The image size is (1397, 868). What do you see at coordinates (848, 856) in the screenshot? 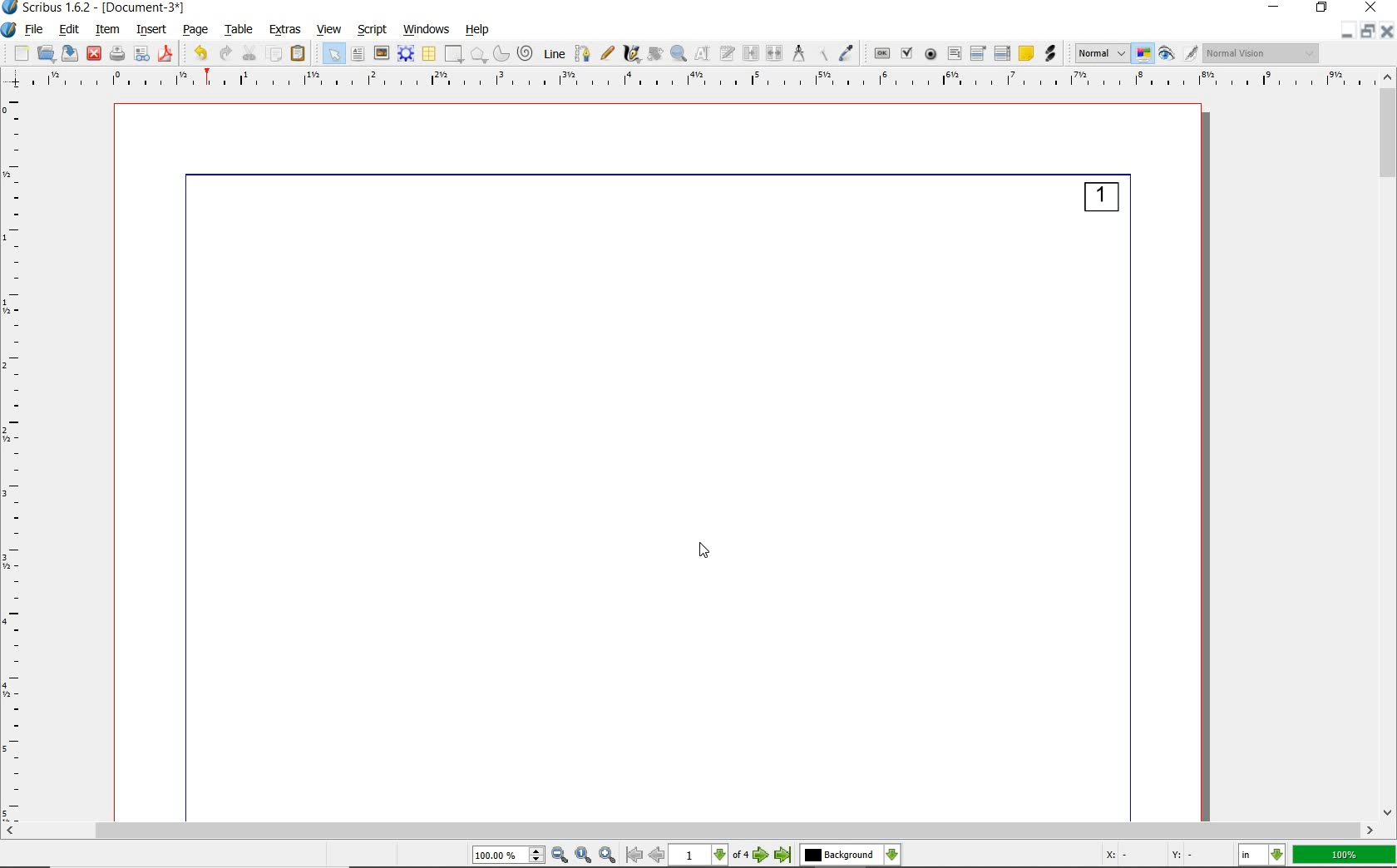
I see `select the current layer` at bounding box center [848, 856].